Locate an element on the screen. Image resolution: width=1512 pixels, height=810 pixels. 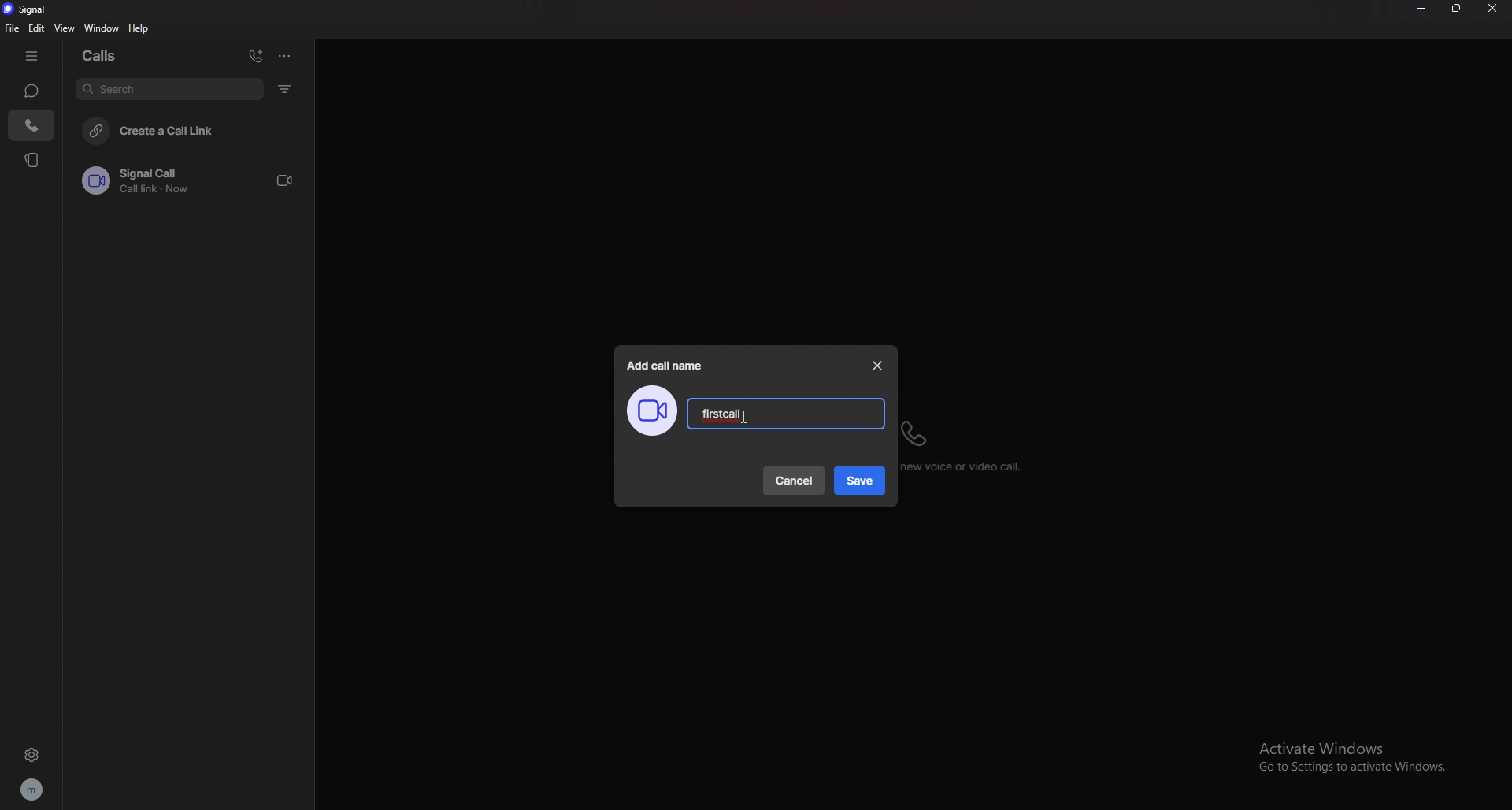
settings is located at coordinates (31, 754).